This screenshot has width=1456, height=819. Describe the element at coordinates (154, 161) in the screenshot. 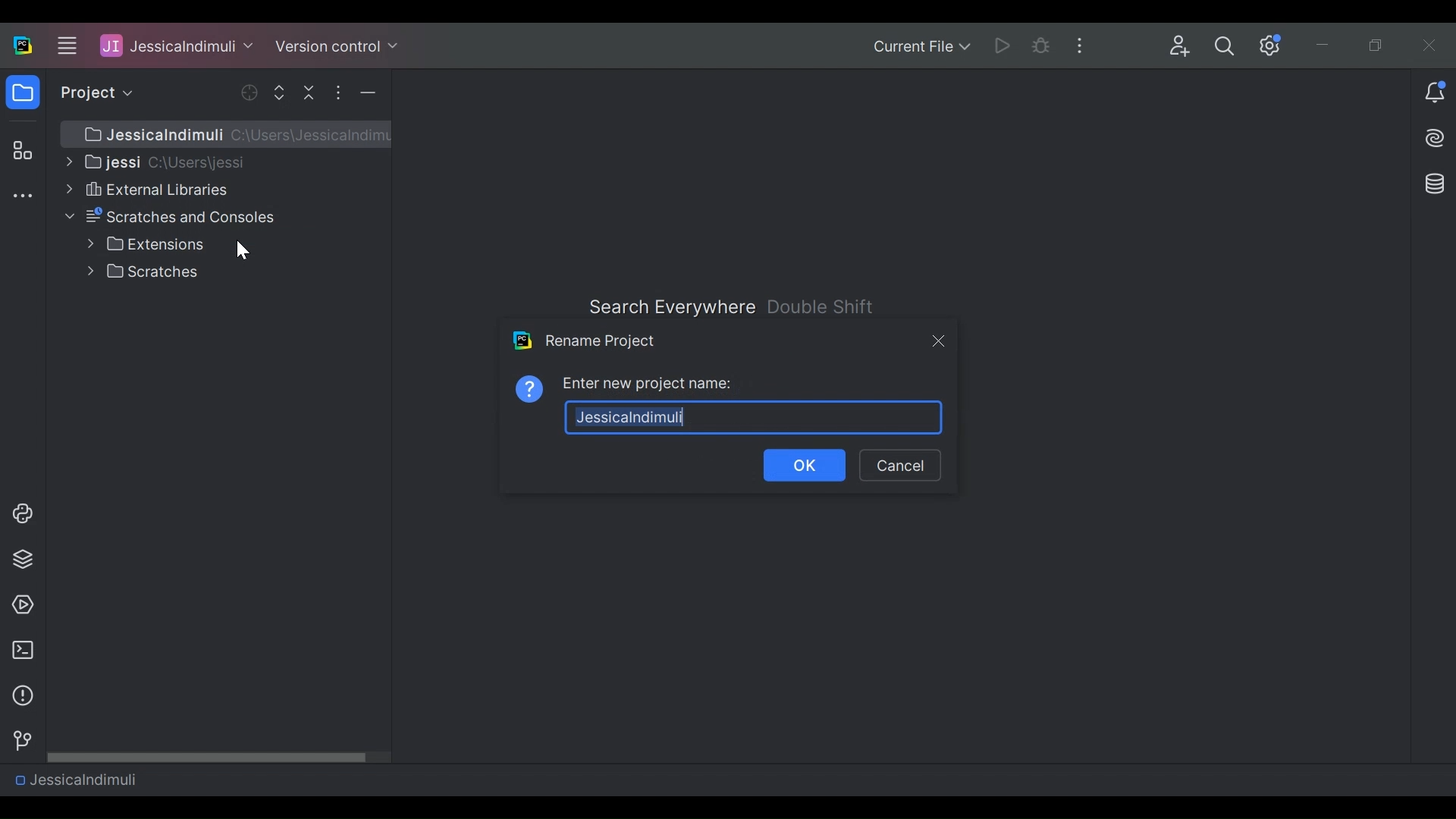

I see `Project Directory` at that location.